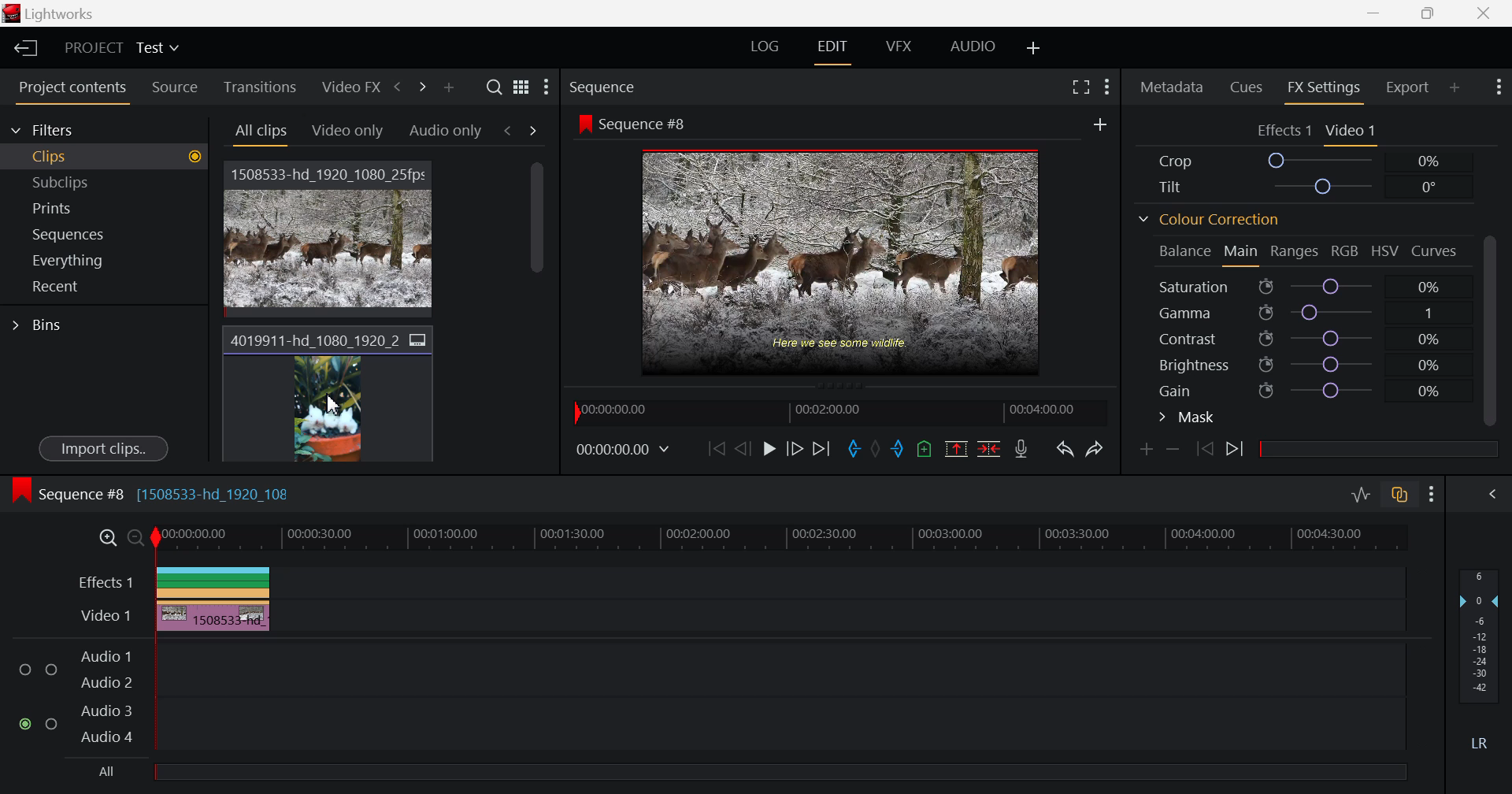 The height and width of the screenshot is (794, 1512). Describe the element at coordinates (625, 447) in the screenshot. I see `Frame Time` at that location.